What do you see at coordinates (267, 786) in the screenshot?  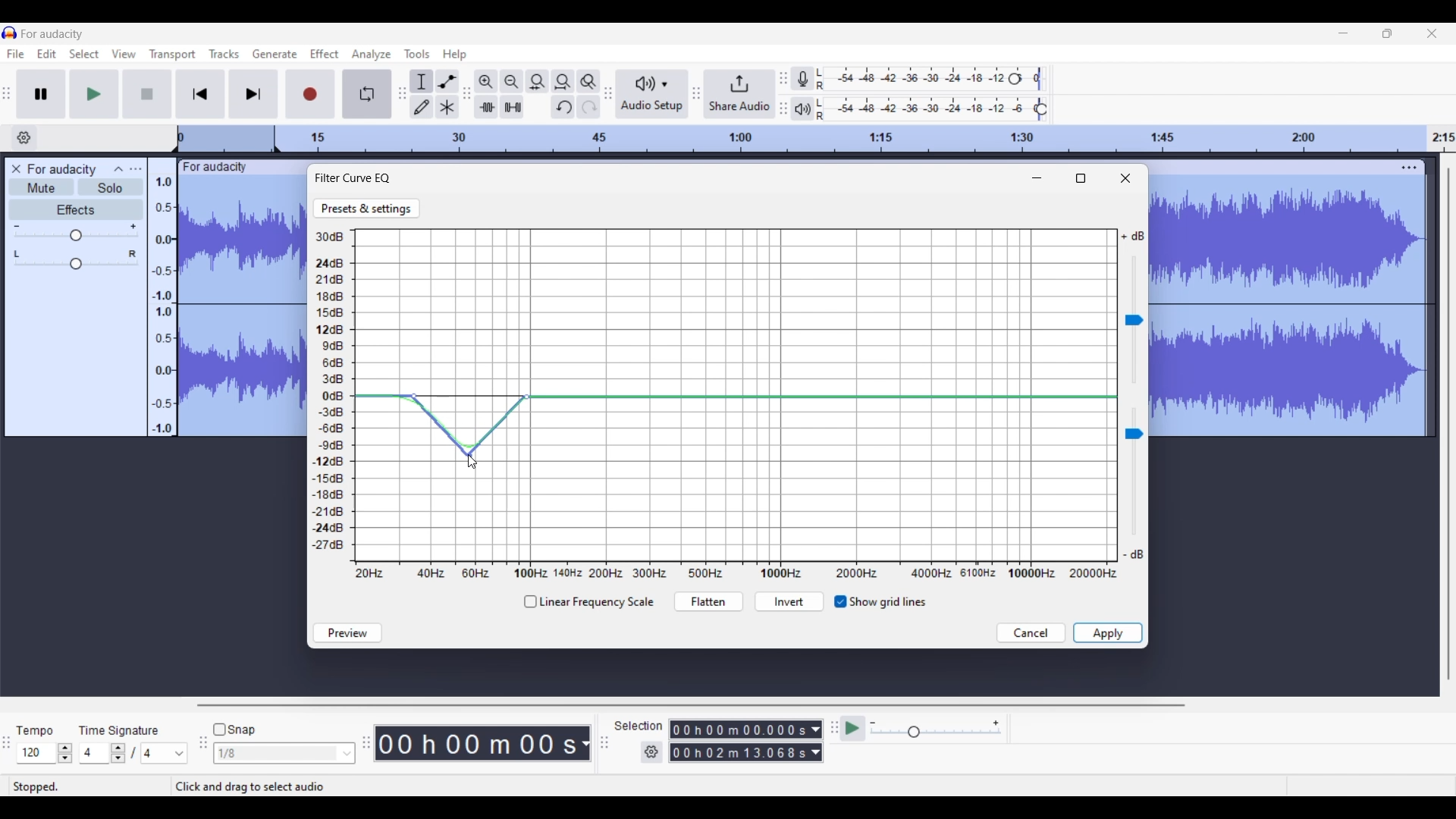 I see `Description of current selection` at bounding box center [267, 786].